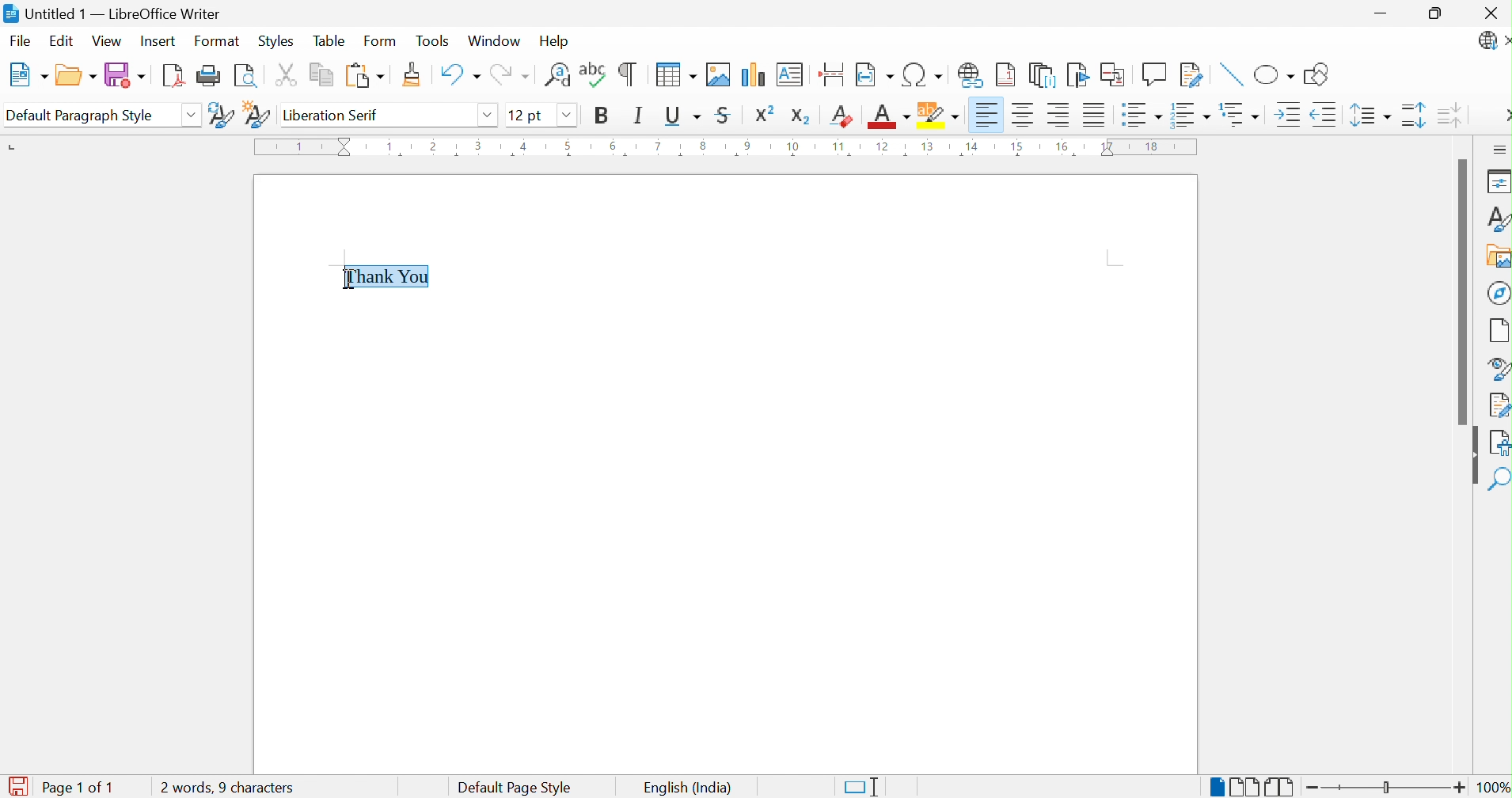  What do you see at coordinates (1493, 43) in the screenshot?
I see `LibreOffice Update Available` at bounding box center [1493, 43].